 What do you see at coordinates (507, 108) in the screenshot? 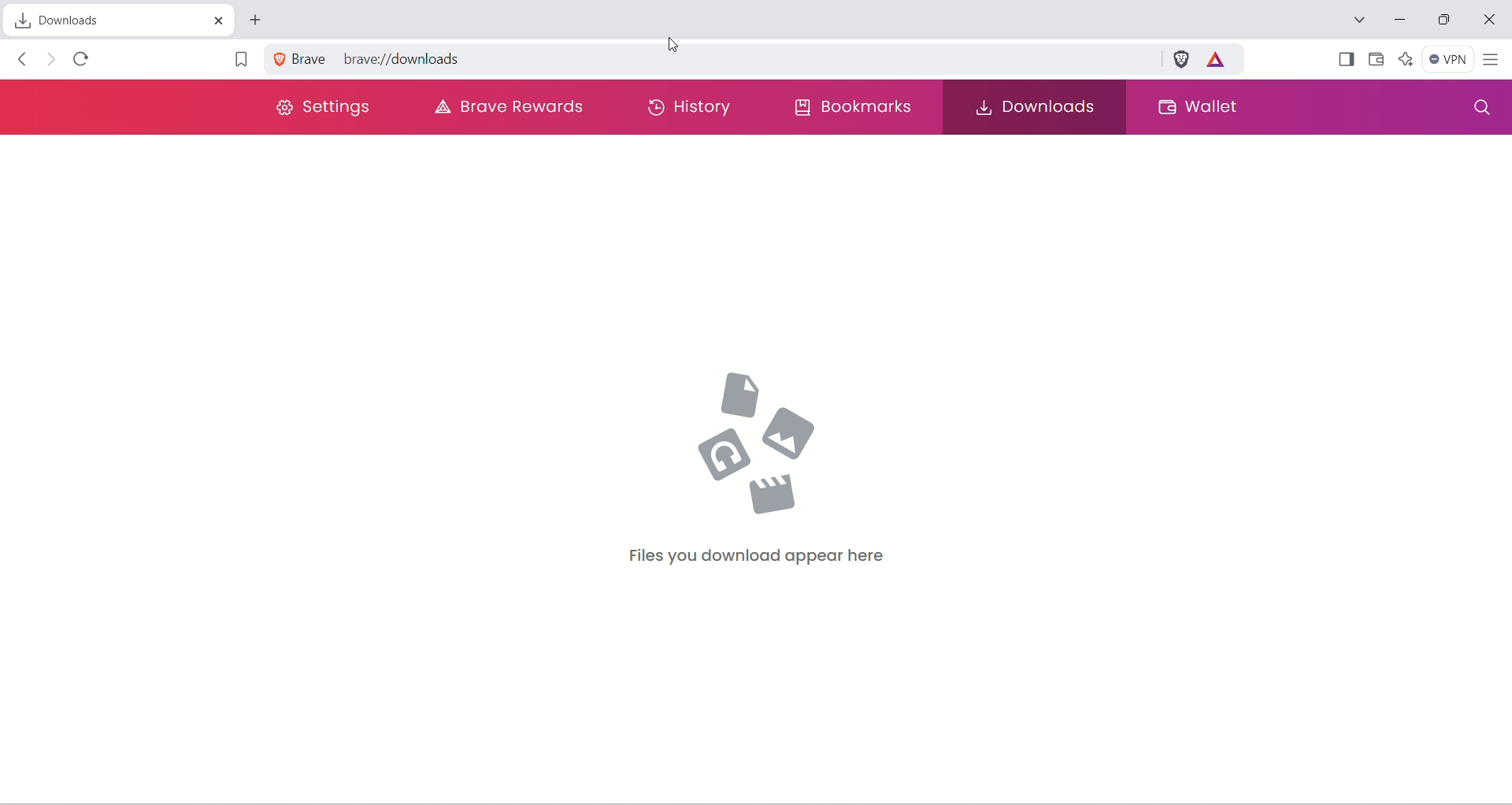
I see `brave rewards` at bounding box center [507, 108].